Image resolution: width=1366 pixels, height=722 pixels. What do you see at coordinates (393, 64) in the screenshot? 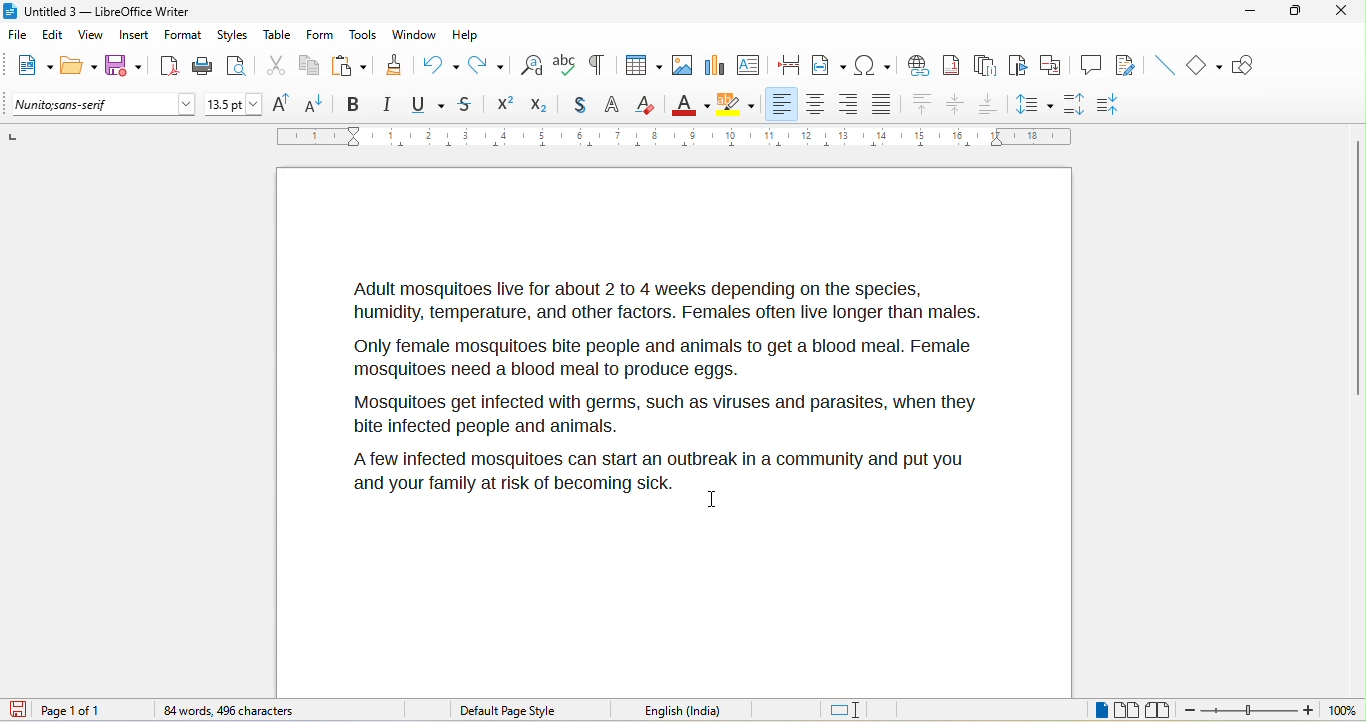
I see `clone formatting` at bounding box center [393, 64].